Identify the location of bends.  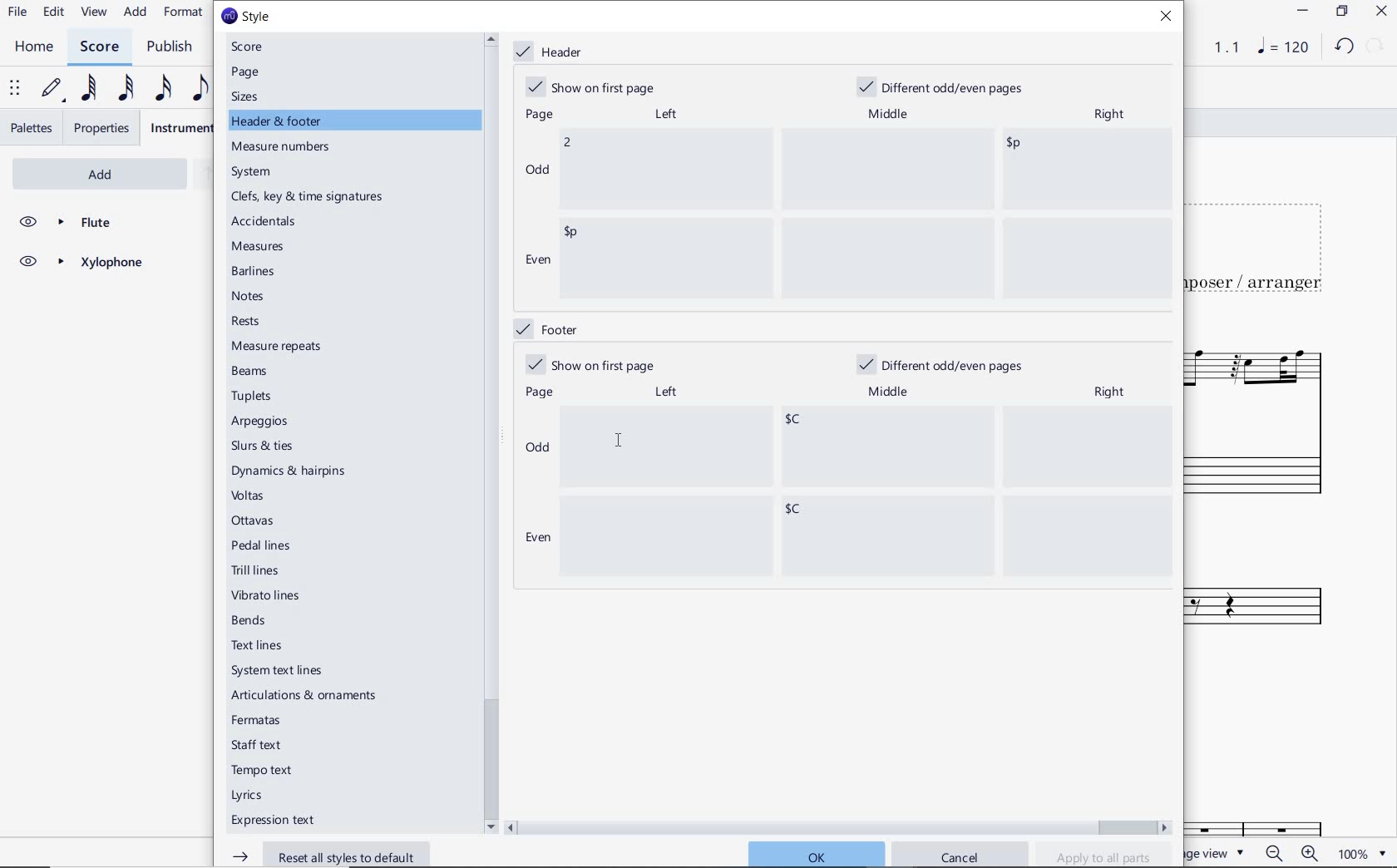
(252, 621).